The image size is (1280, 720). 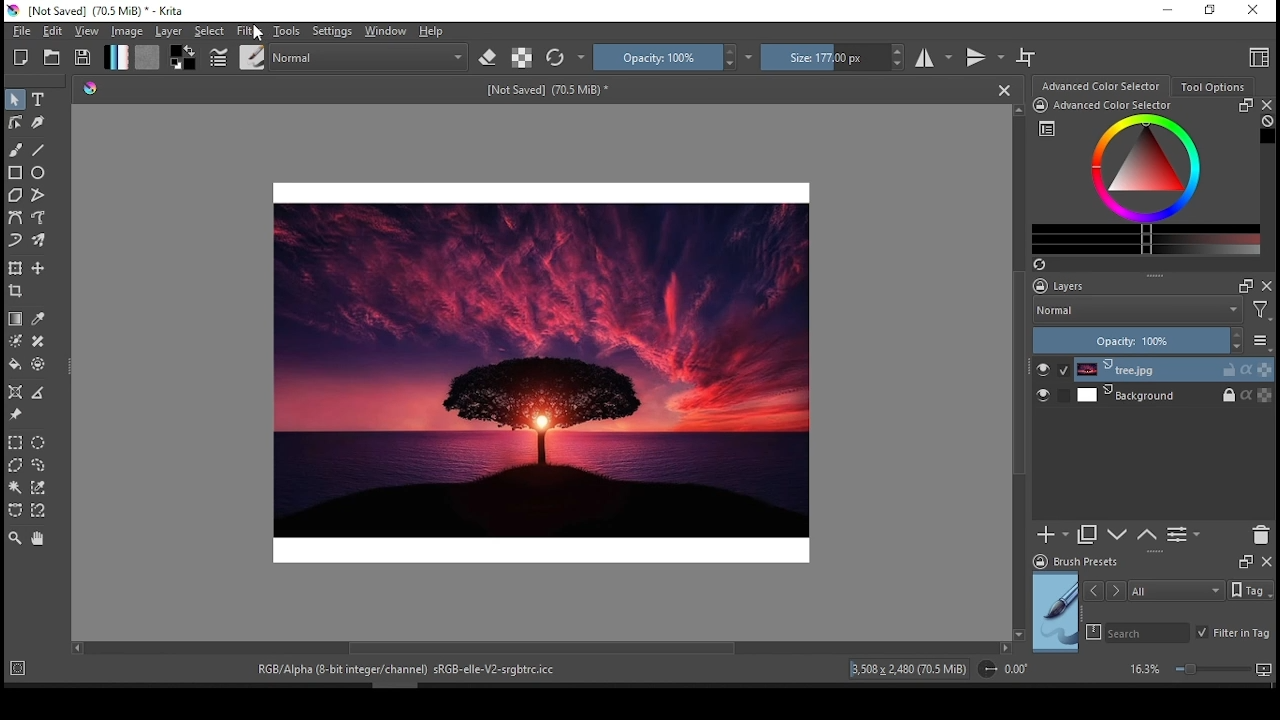 What do you see at coordinates (52, 31) in the screenshot?
I see `edit` at bounding box center [52, 31].